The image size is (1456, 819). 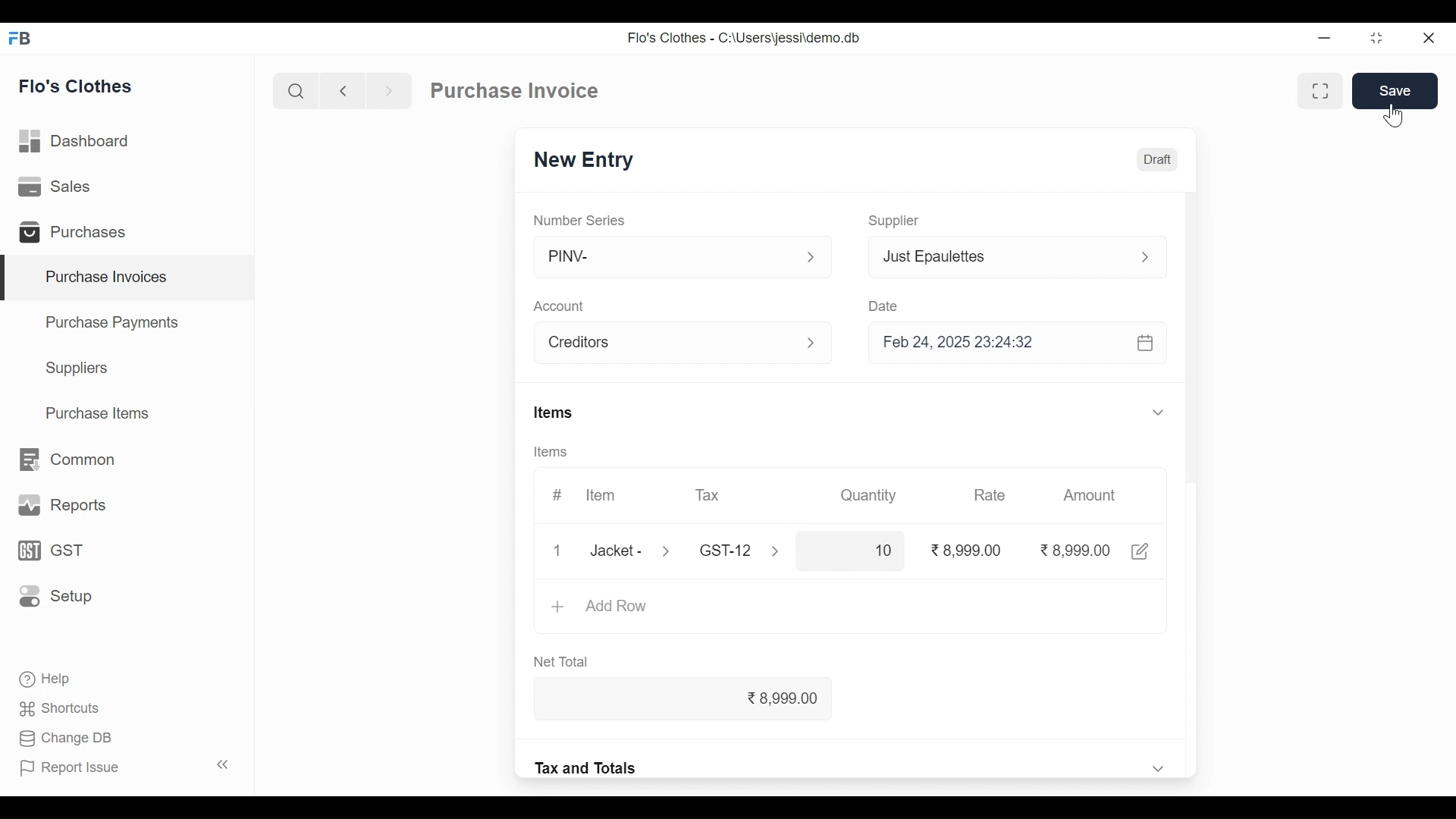 What do you see at coordinates (783, 553) in the screenshot?
I see `Expand` at bounding box center [783, 553].